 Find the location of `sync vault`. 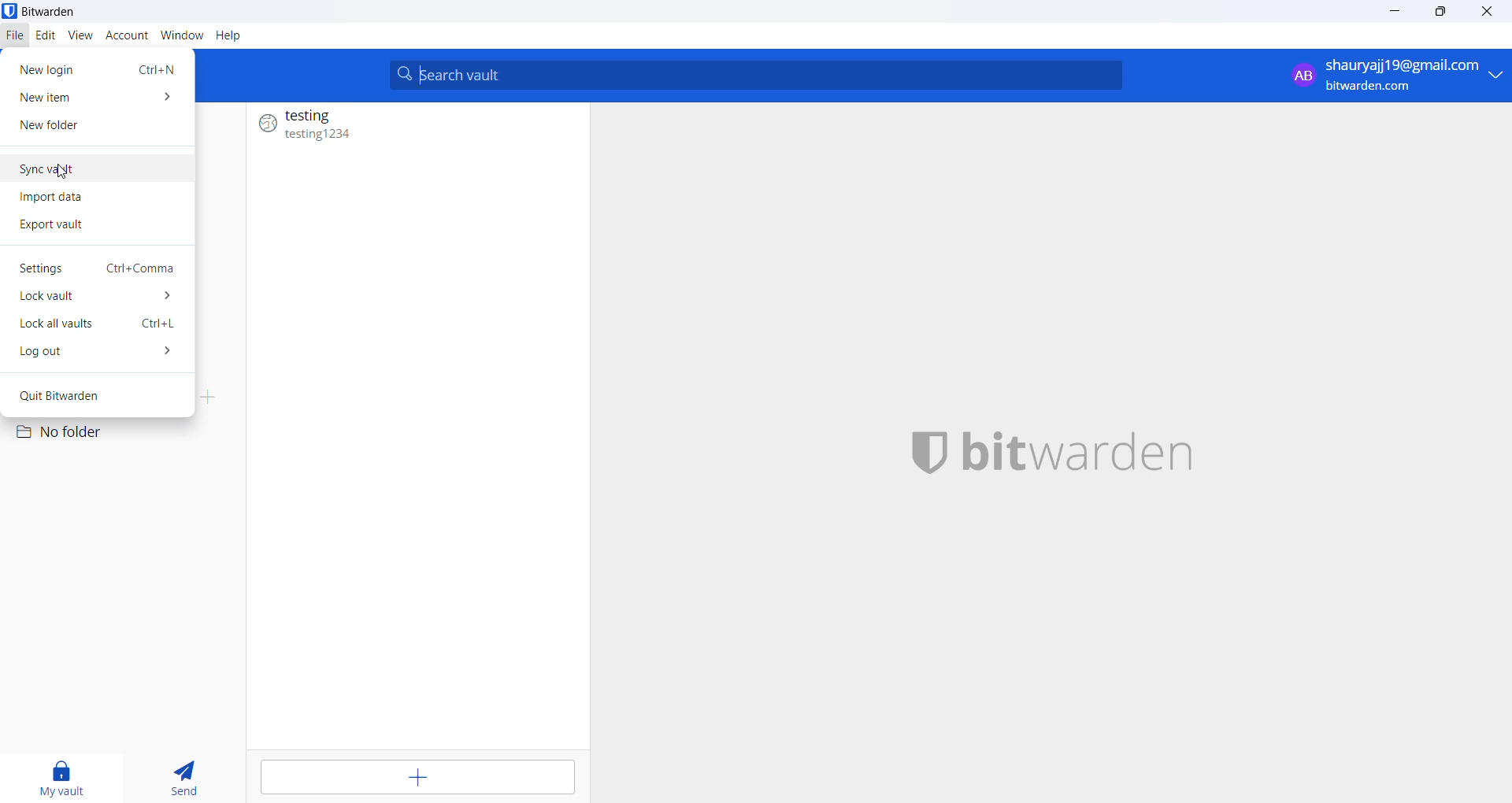

sync vault is located at coordinates (101, 172).